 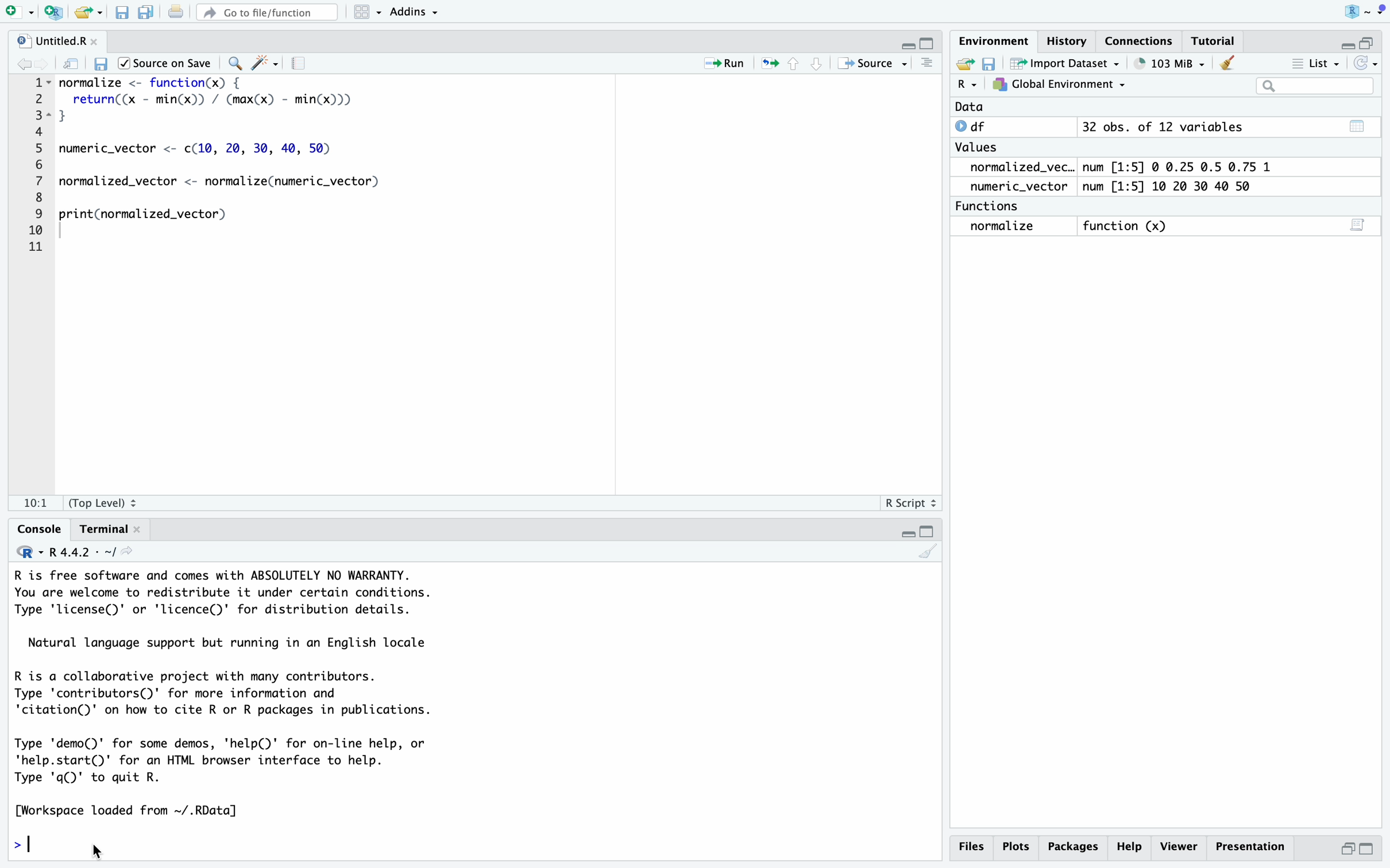 I want to click on Source on Save, so click(x=168, y=64).